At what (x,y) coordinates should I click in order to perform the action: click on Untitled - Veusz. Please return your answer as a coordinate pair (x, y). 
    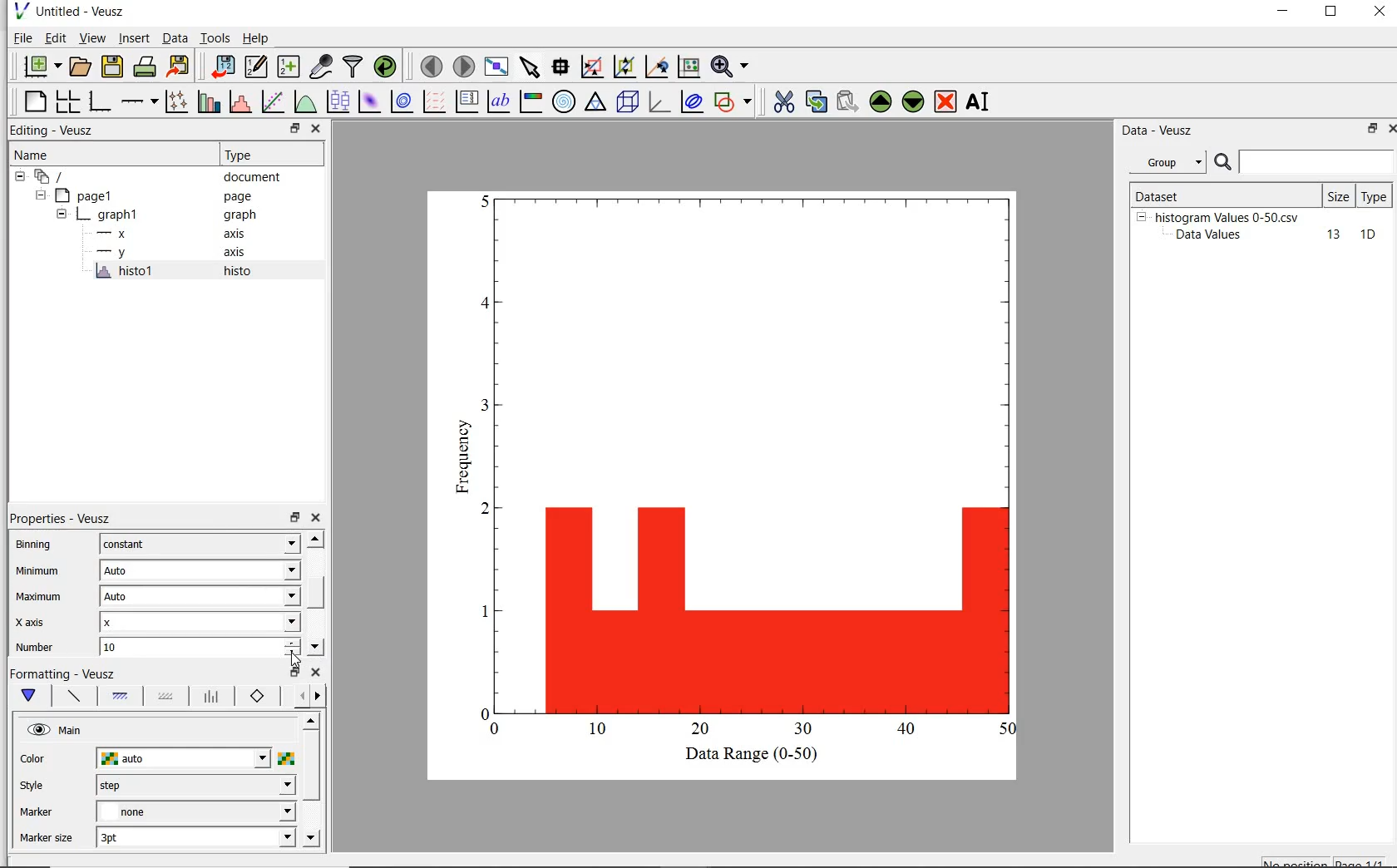
    Looking at the image, I should click on (84, 11).